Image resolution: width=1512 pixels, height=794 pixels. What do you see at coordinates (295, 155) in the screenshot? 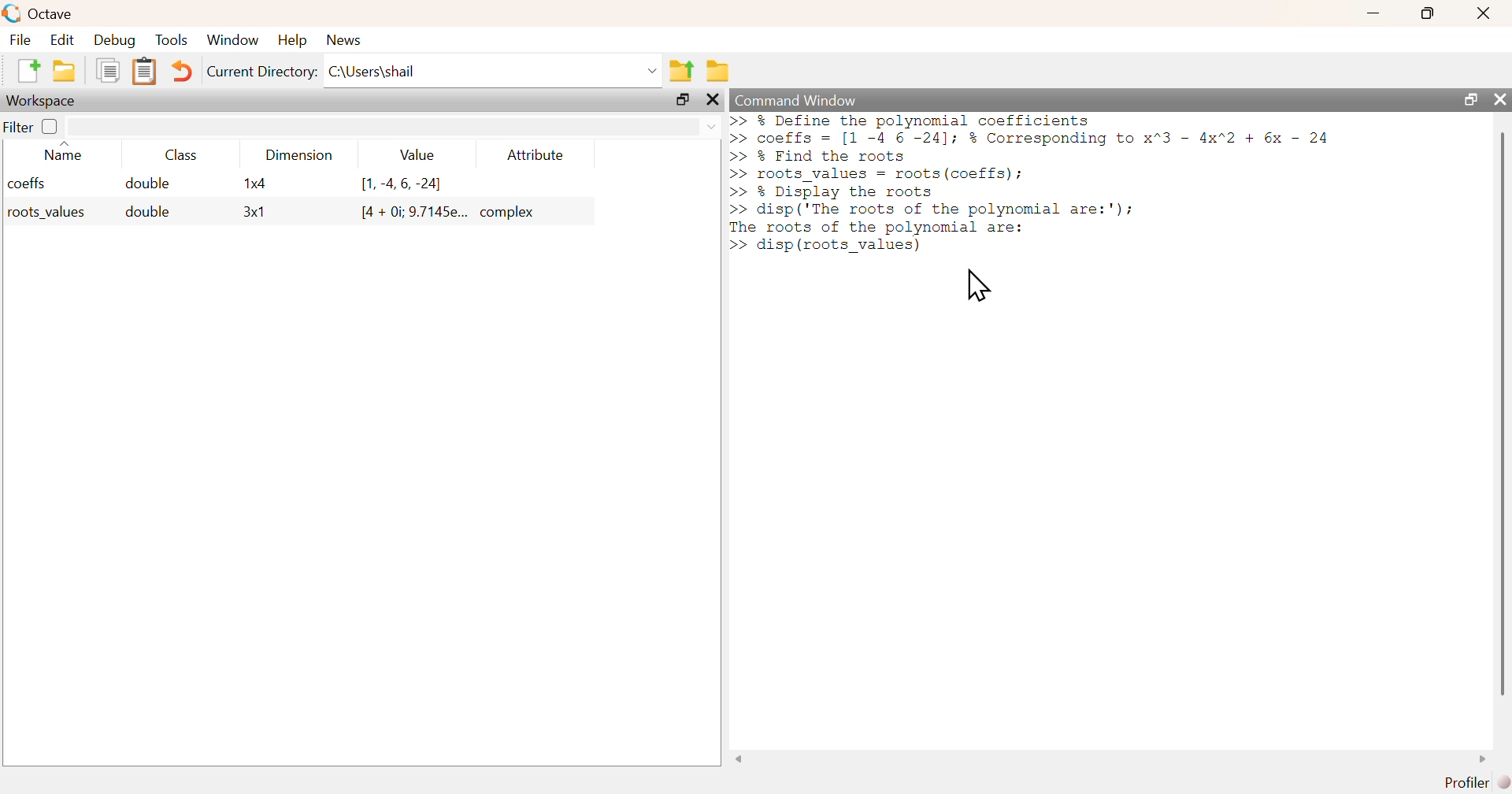
I see `Dimension` at bounding box center [295, 155].